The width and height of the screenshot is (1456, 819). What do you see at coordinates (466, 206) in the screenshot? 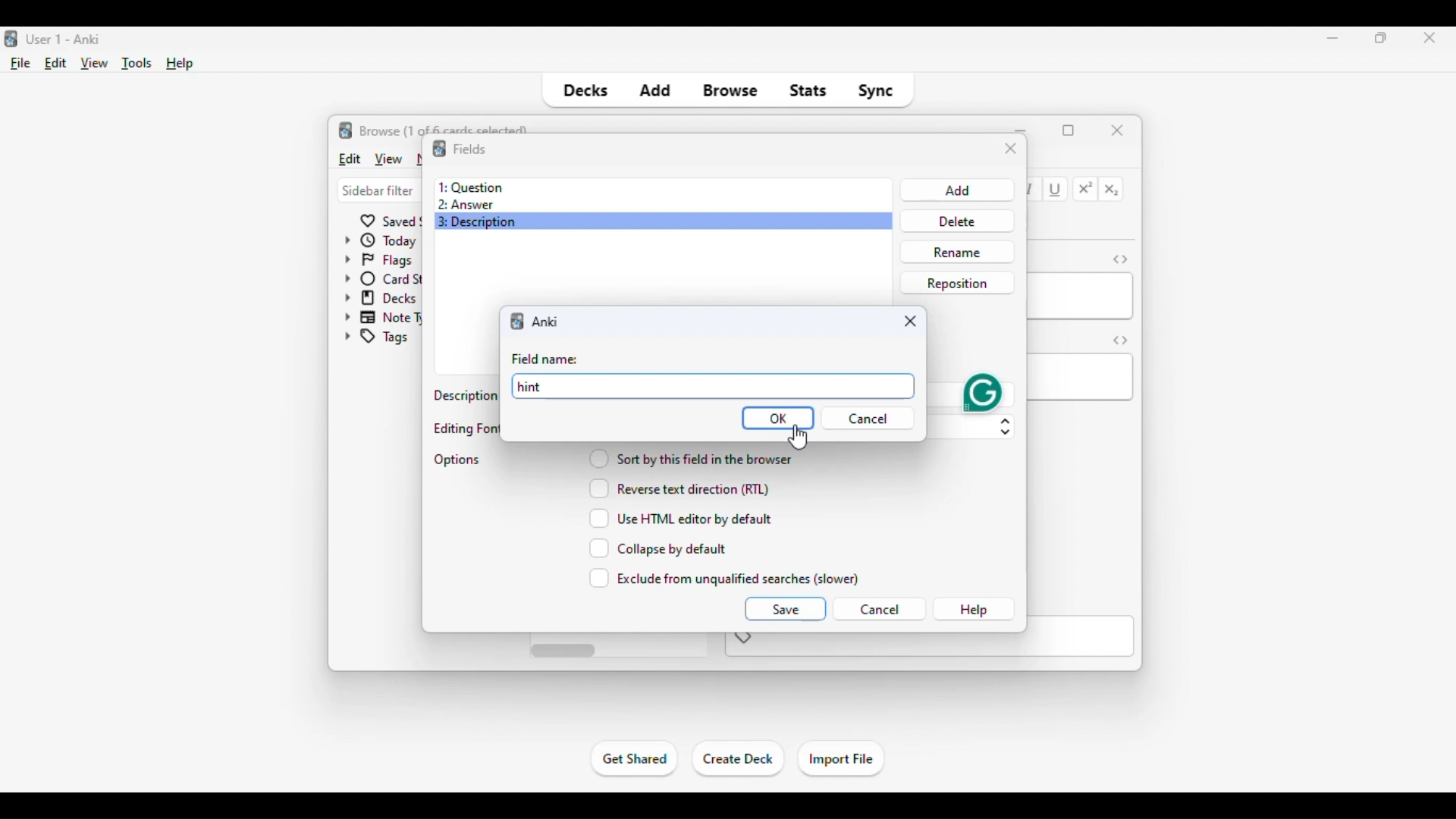
I see `2: Answer` at bounding box center [466, 206].